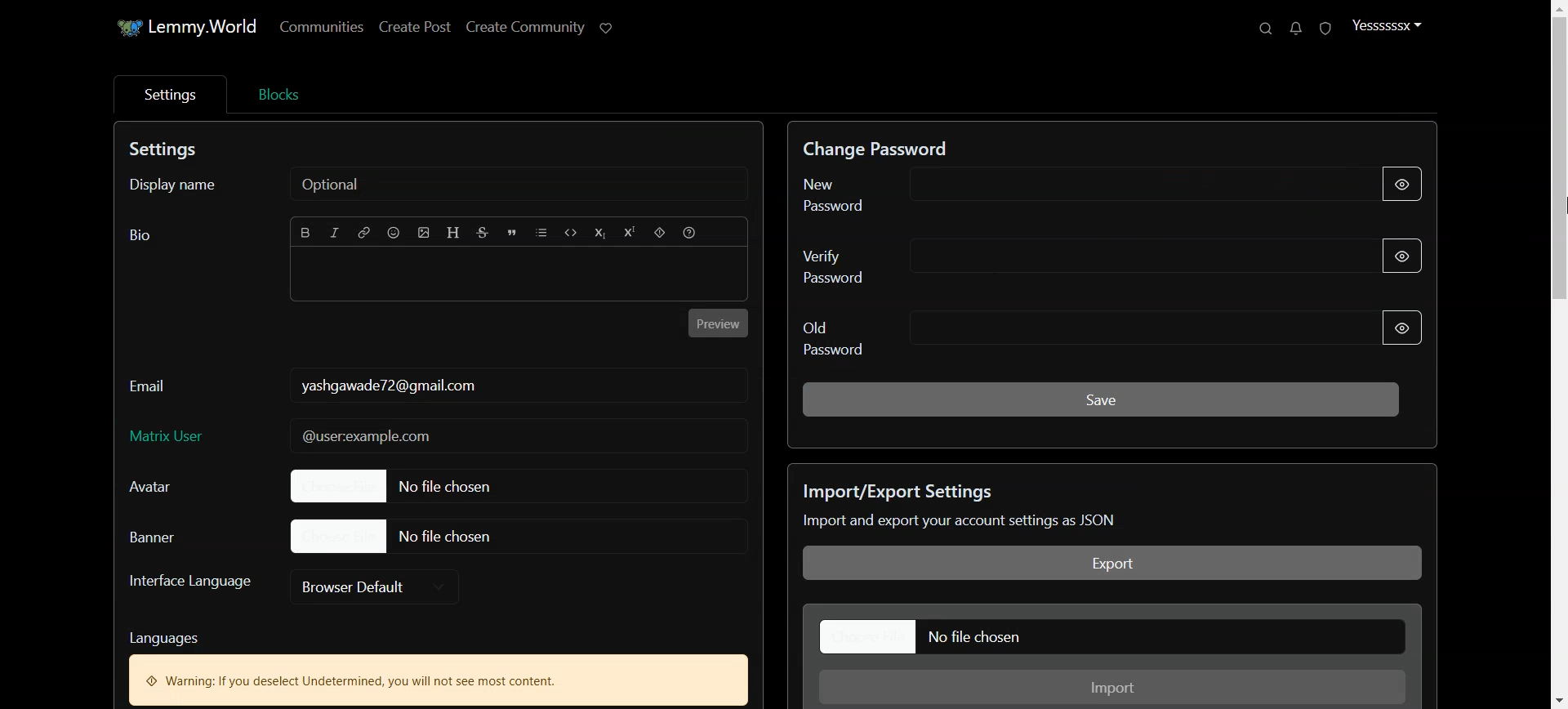 The width and height of the screenshot is (1568, 709). I want to click on Search, so click(1266, 28).